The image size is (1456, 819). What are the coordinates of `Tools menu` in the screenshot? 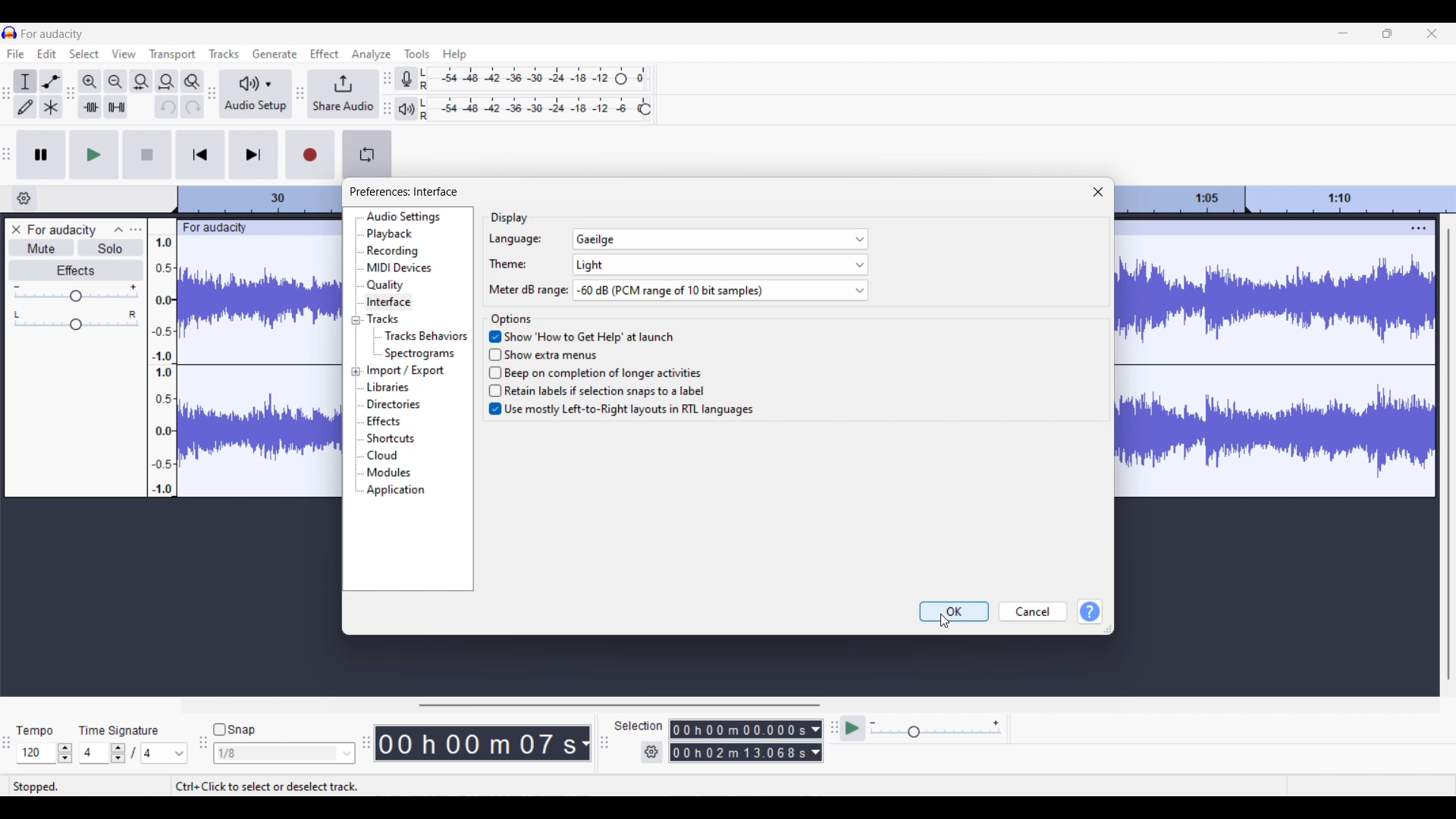 It's located at (417, 53).